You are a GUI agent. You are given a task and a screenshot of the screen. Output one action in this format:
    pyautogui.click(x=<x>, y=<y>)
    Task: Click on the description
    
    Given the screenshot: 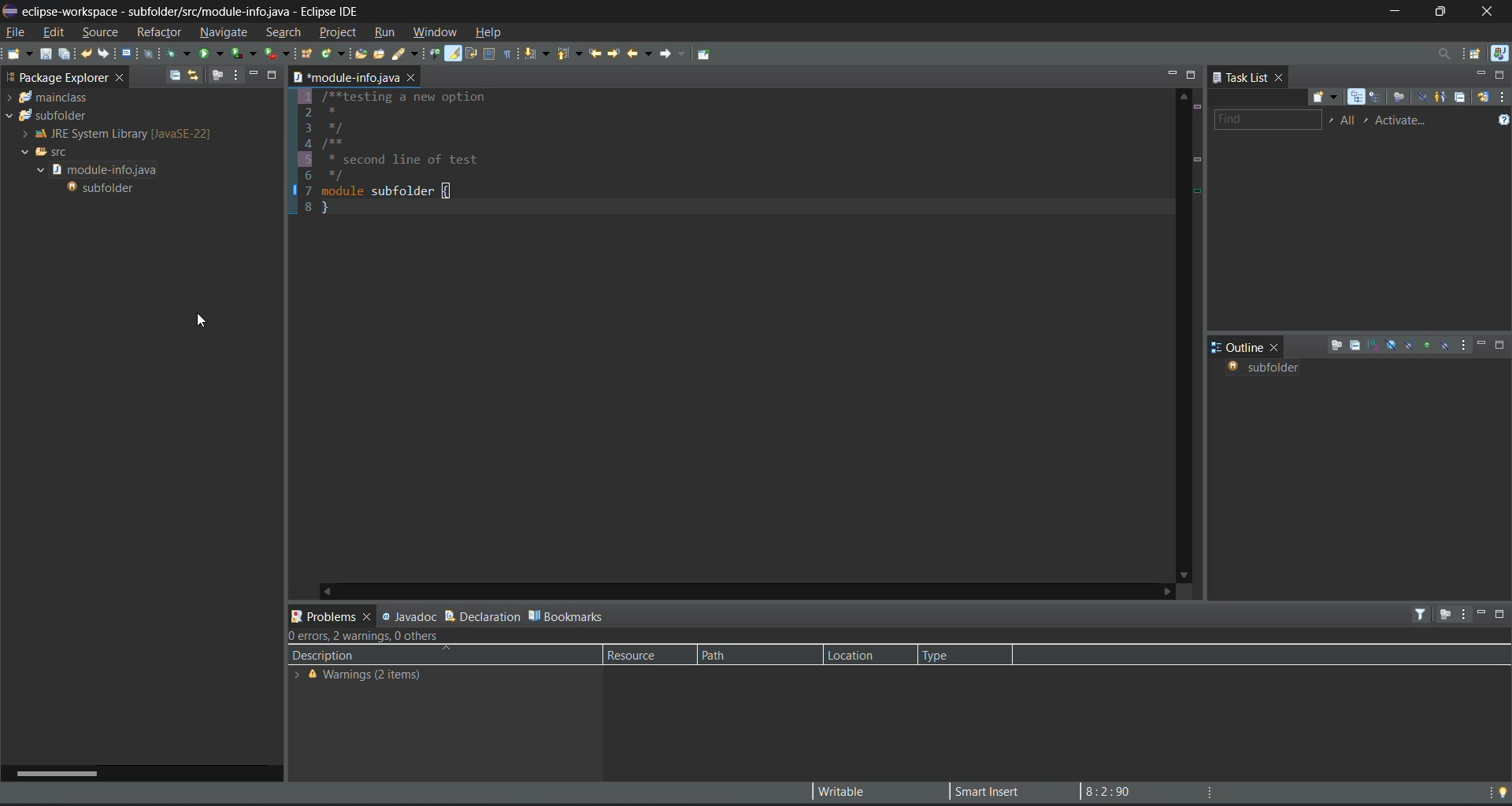 What is the action you would take?
    pyautogui.click(x=380, y=655)
    